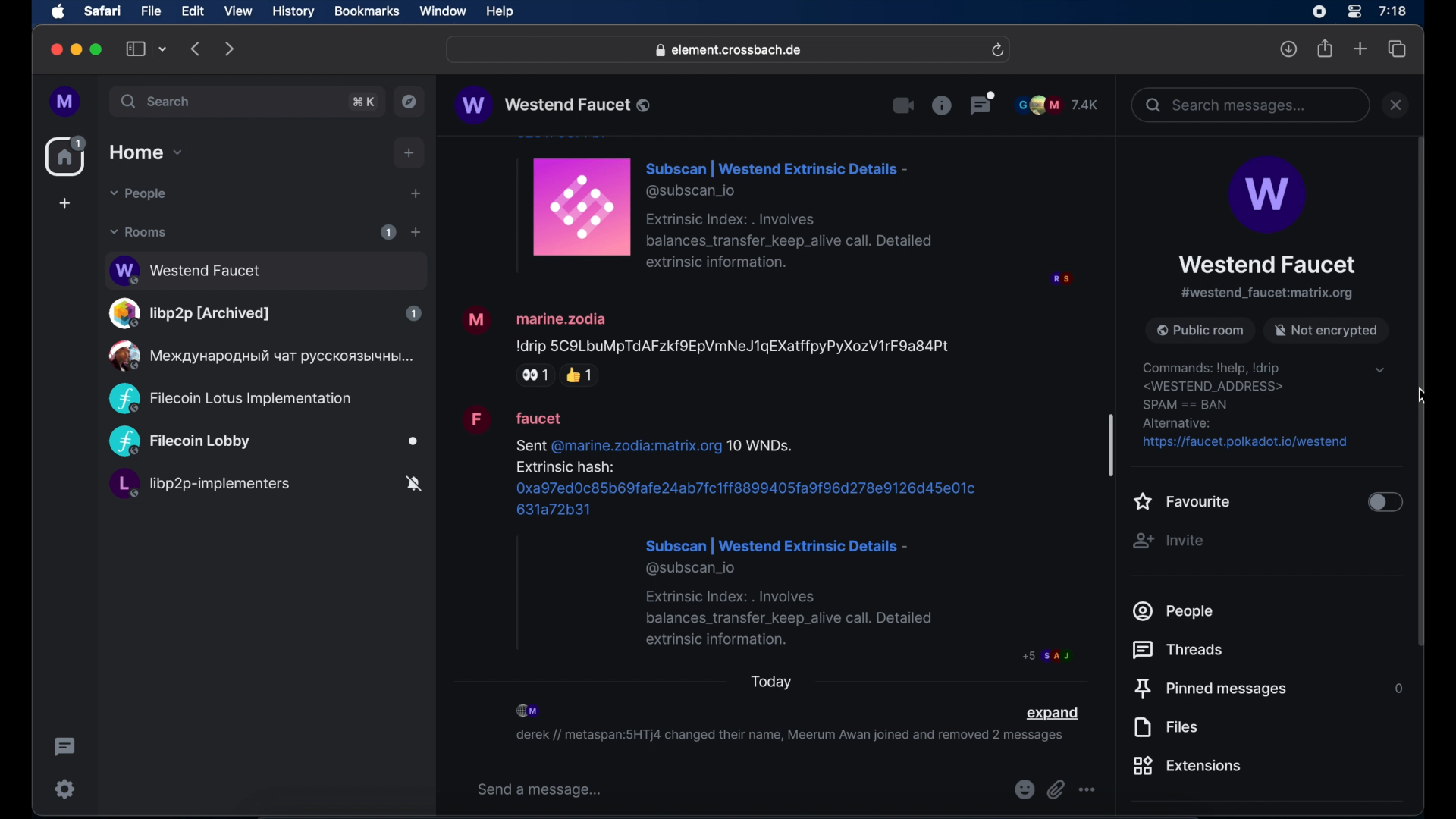 This screenshot has width=1456, height=819. I want to click on message, so click(707, 344).